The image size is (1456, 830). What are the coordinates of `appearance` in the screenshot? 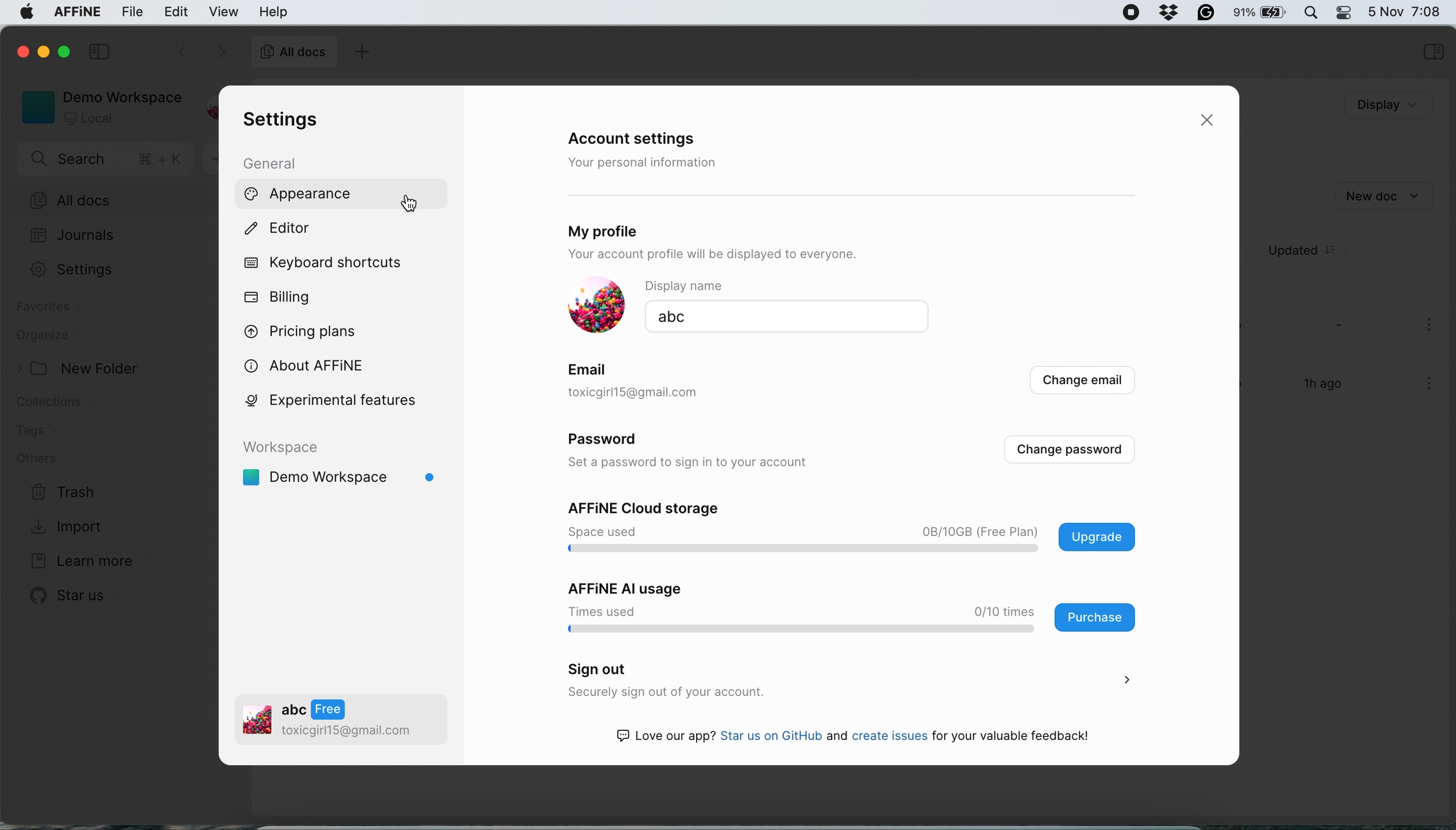 It's located at (300, 193).